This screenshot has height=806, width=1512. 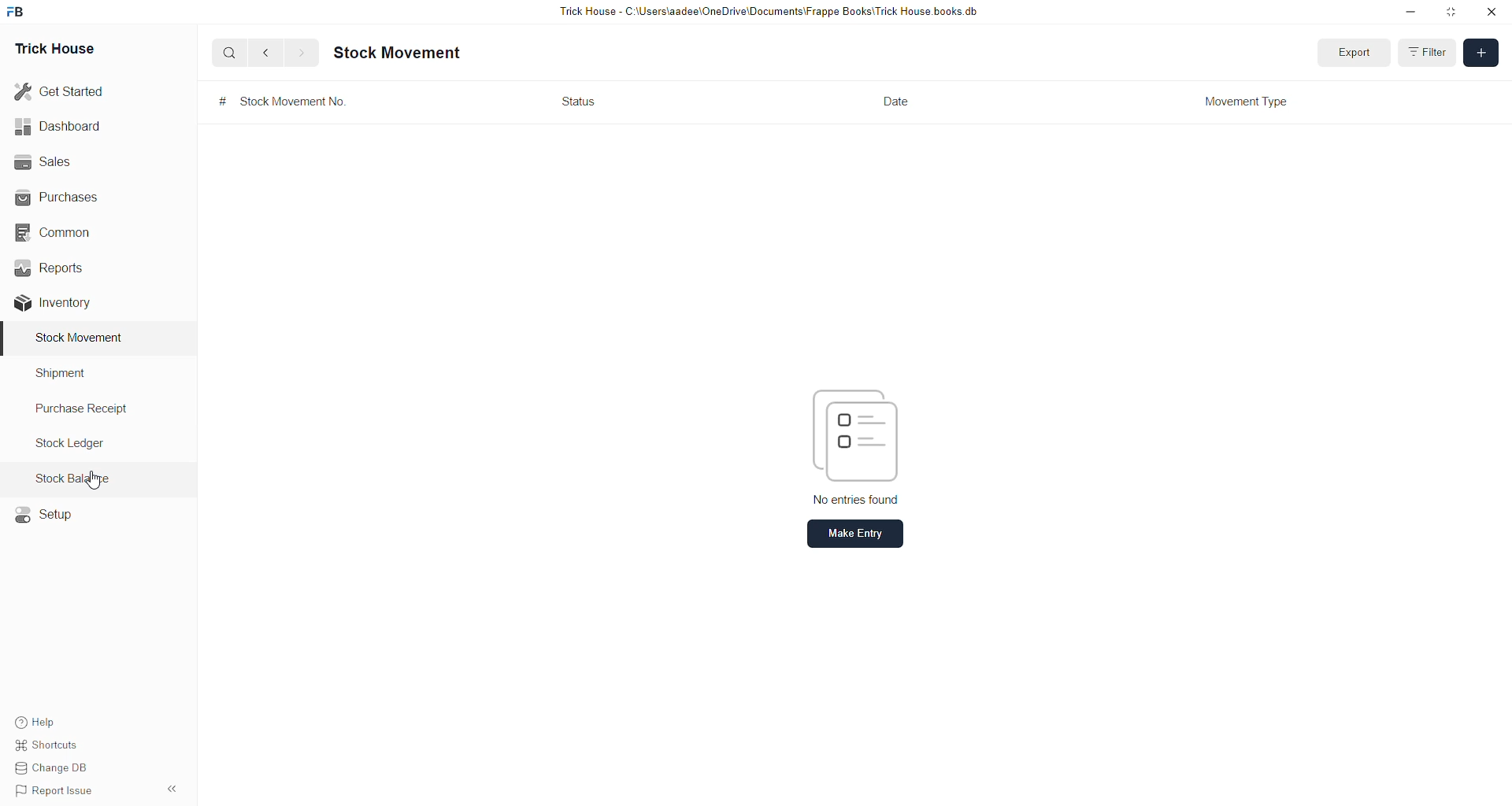 I want to click on Sales, so click(x=46, y=166).